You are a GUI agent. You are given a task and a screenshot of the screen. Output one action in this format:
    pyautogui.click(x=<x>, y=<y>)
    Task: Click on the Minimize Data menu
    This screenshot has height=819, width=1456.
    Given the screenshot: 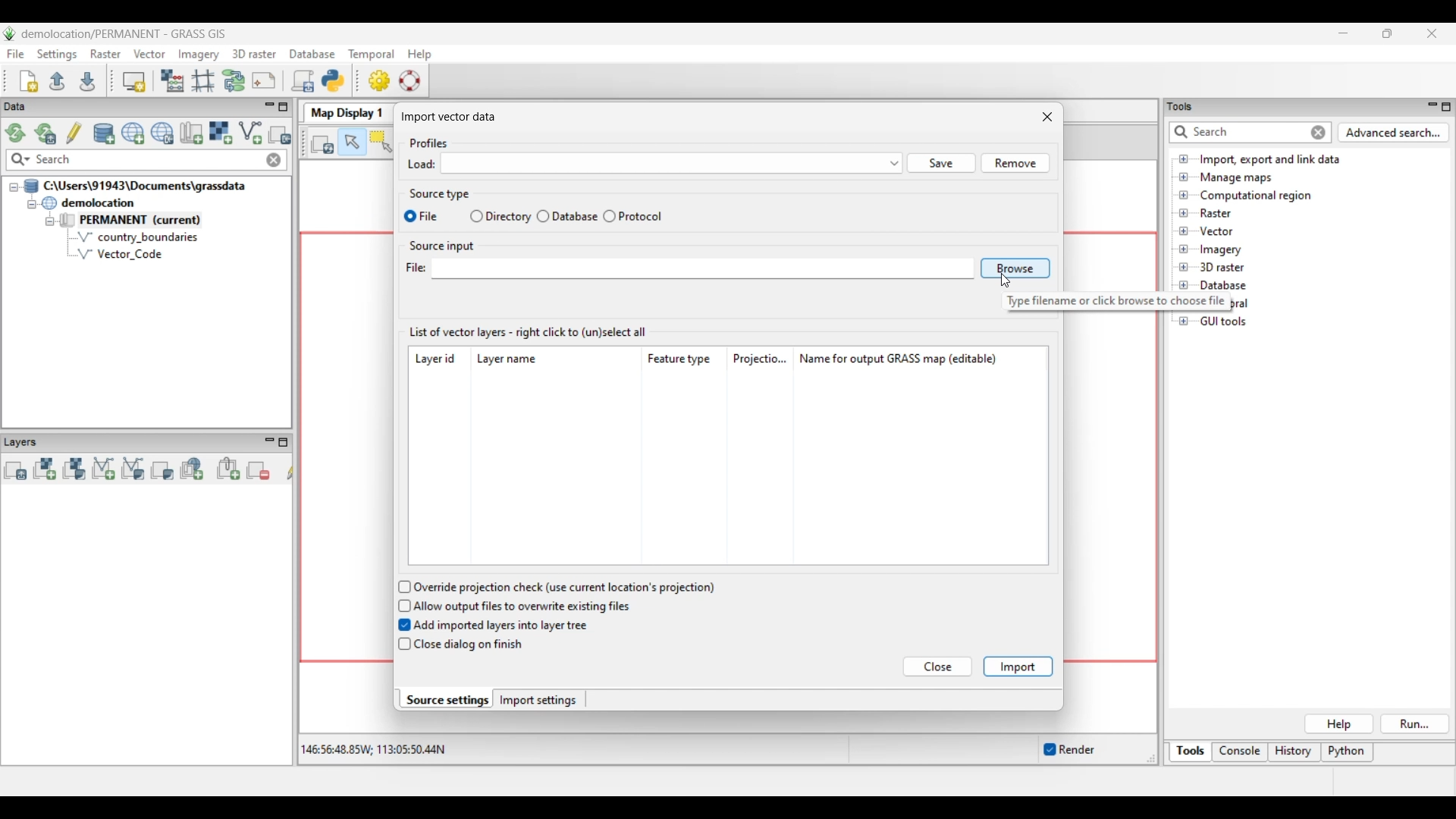 What is the action you would take?
    pyautogui.click(x=269, y=108)
    